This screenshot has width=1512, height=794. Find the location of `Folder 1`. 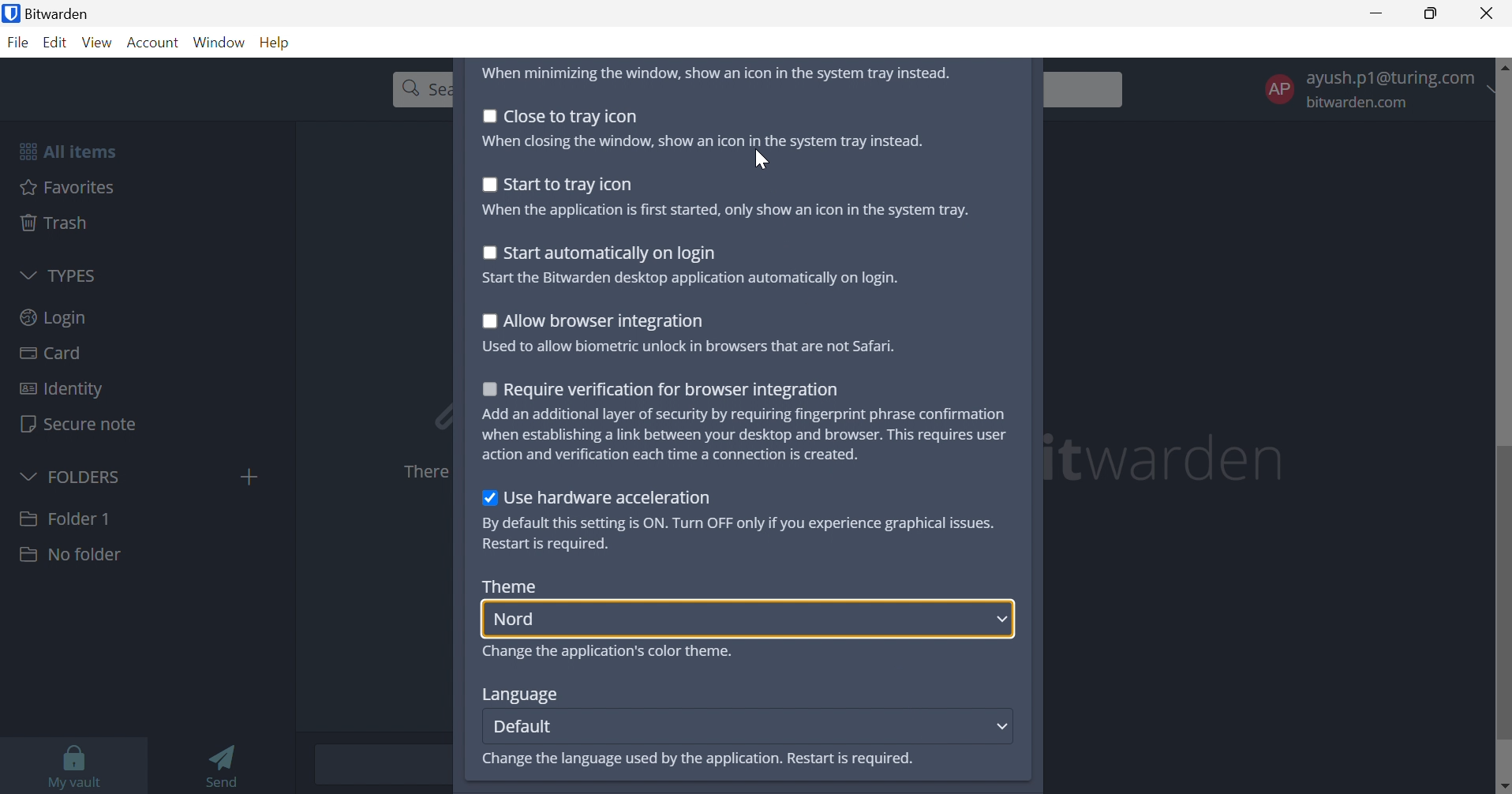

Folder 1 is located at coordinates (65, 517).